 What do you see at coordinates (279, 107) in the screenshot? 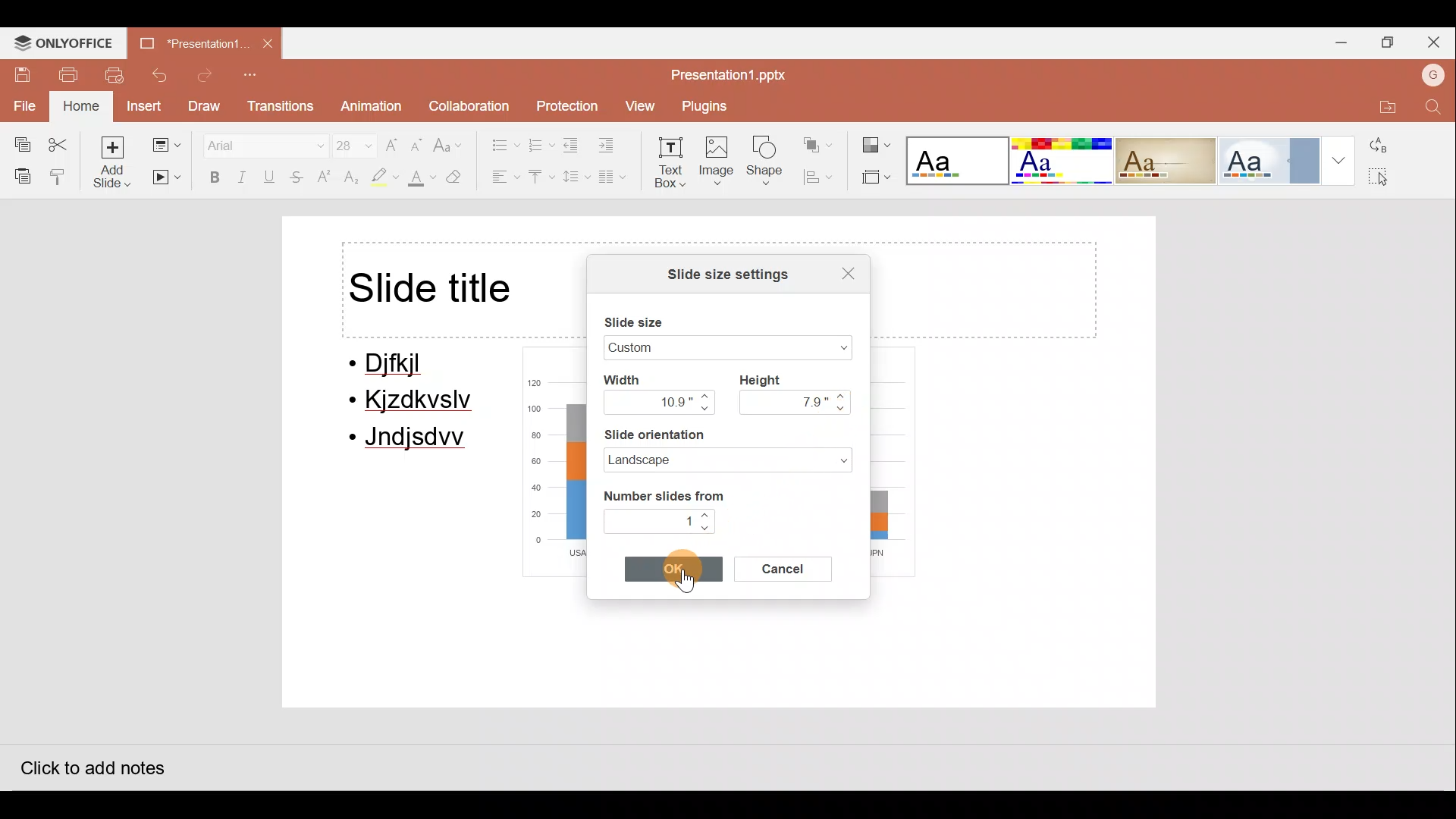
I see `Transitions` at bounding box center [279, 107].